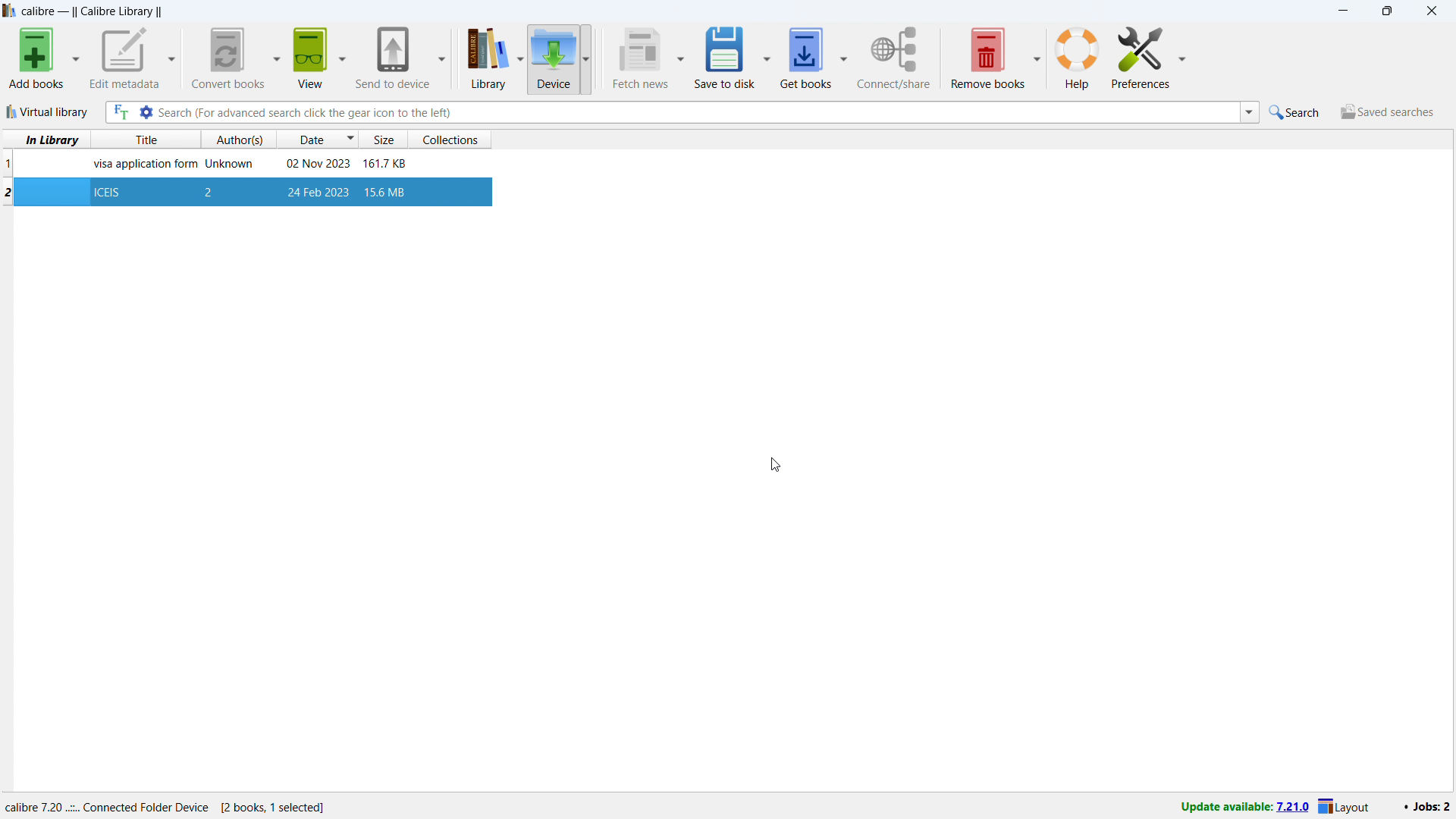  What do you see at coordinates (93, 11) in the screenshot?
I see `title` at bounding box center [93, 11].